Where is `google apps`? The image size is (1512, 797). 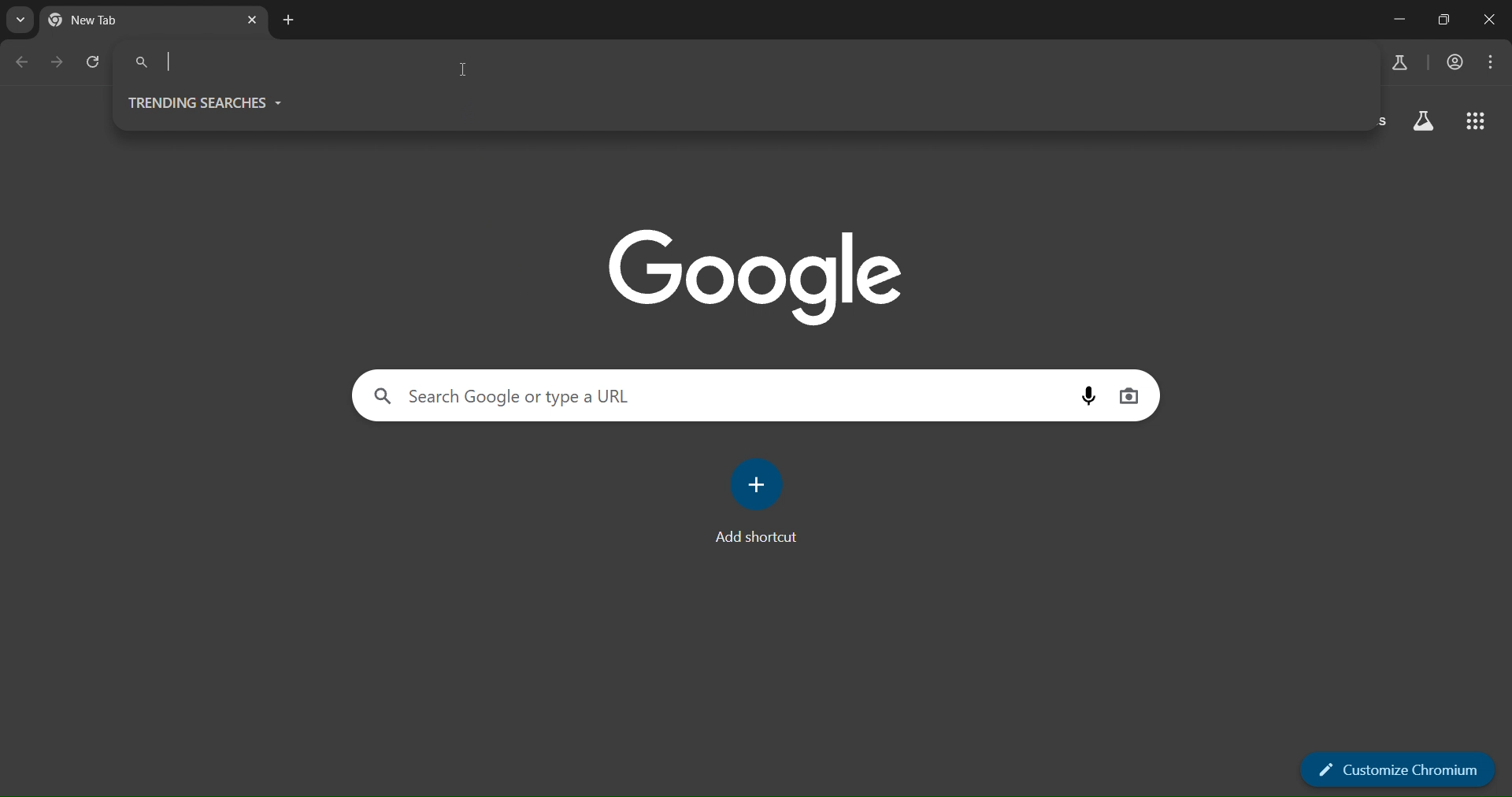 google apps is located at coordinates (1477, 120).